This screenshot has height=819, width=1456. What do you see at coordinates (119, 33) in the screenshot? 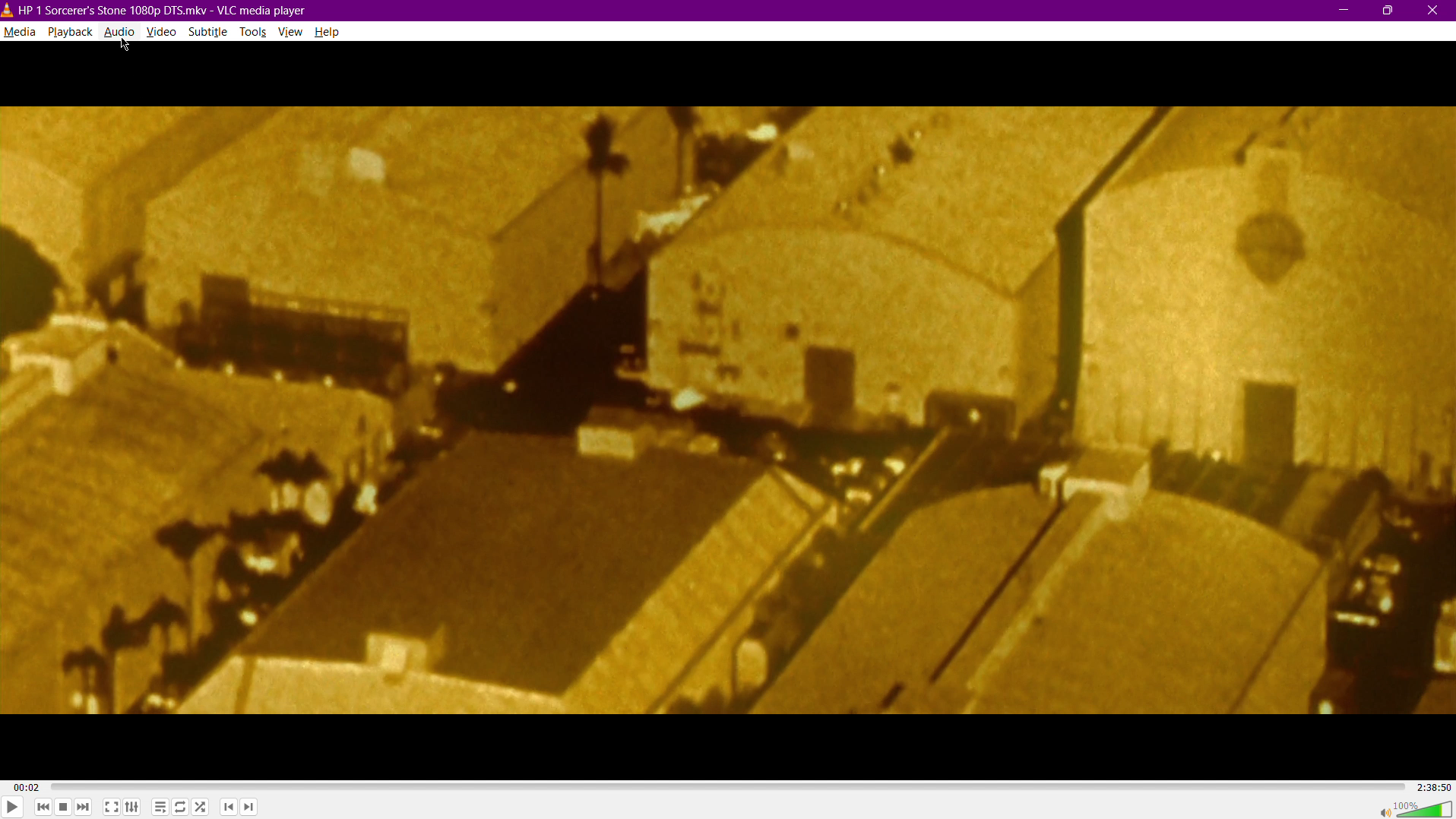
I see `Audio` at bounding box center [119, 33].